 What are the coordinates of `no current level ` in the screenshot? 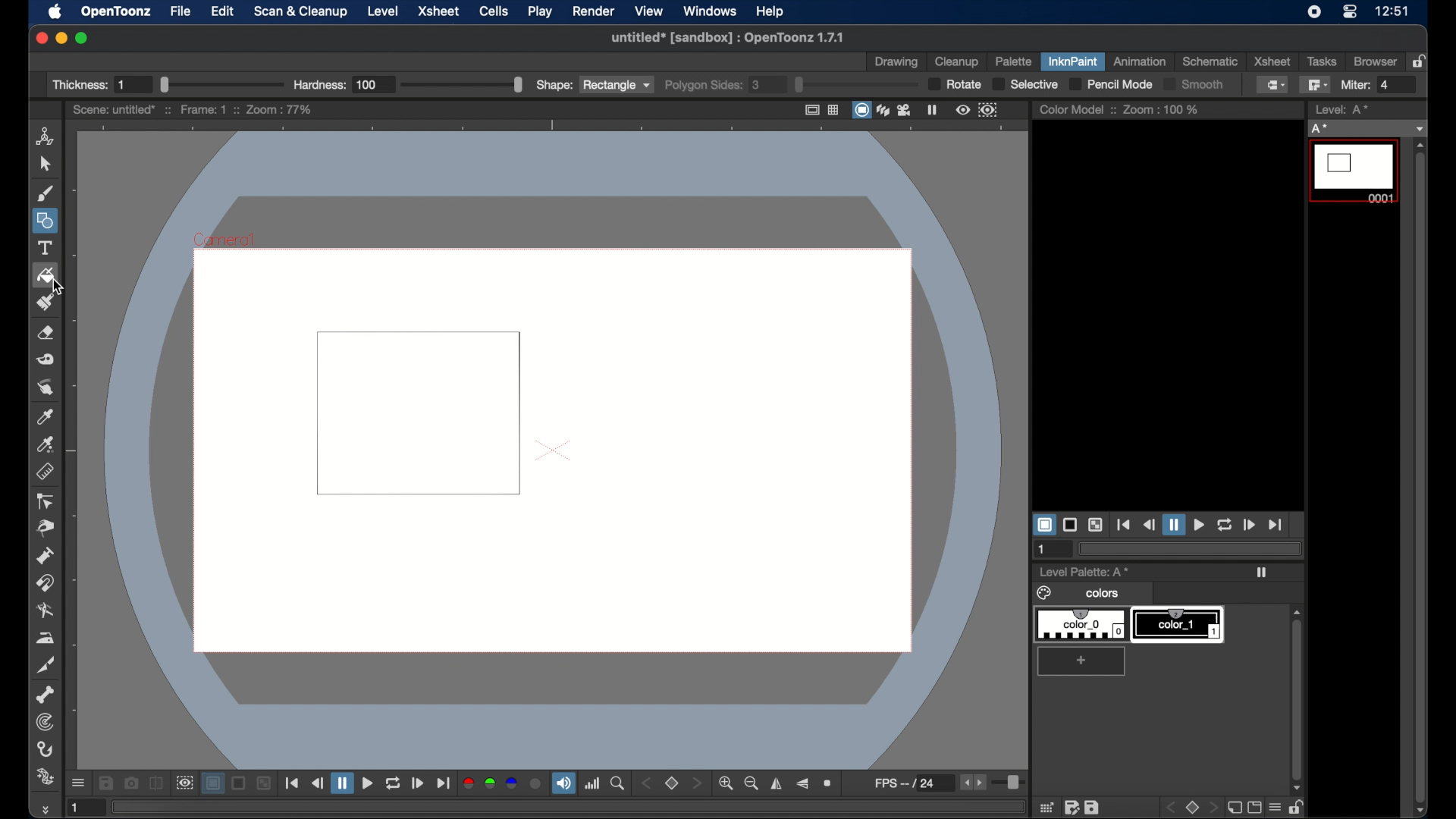 It's located at (1366, 129).